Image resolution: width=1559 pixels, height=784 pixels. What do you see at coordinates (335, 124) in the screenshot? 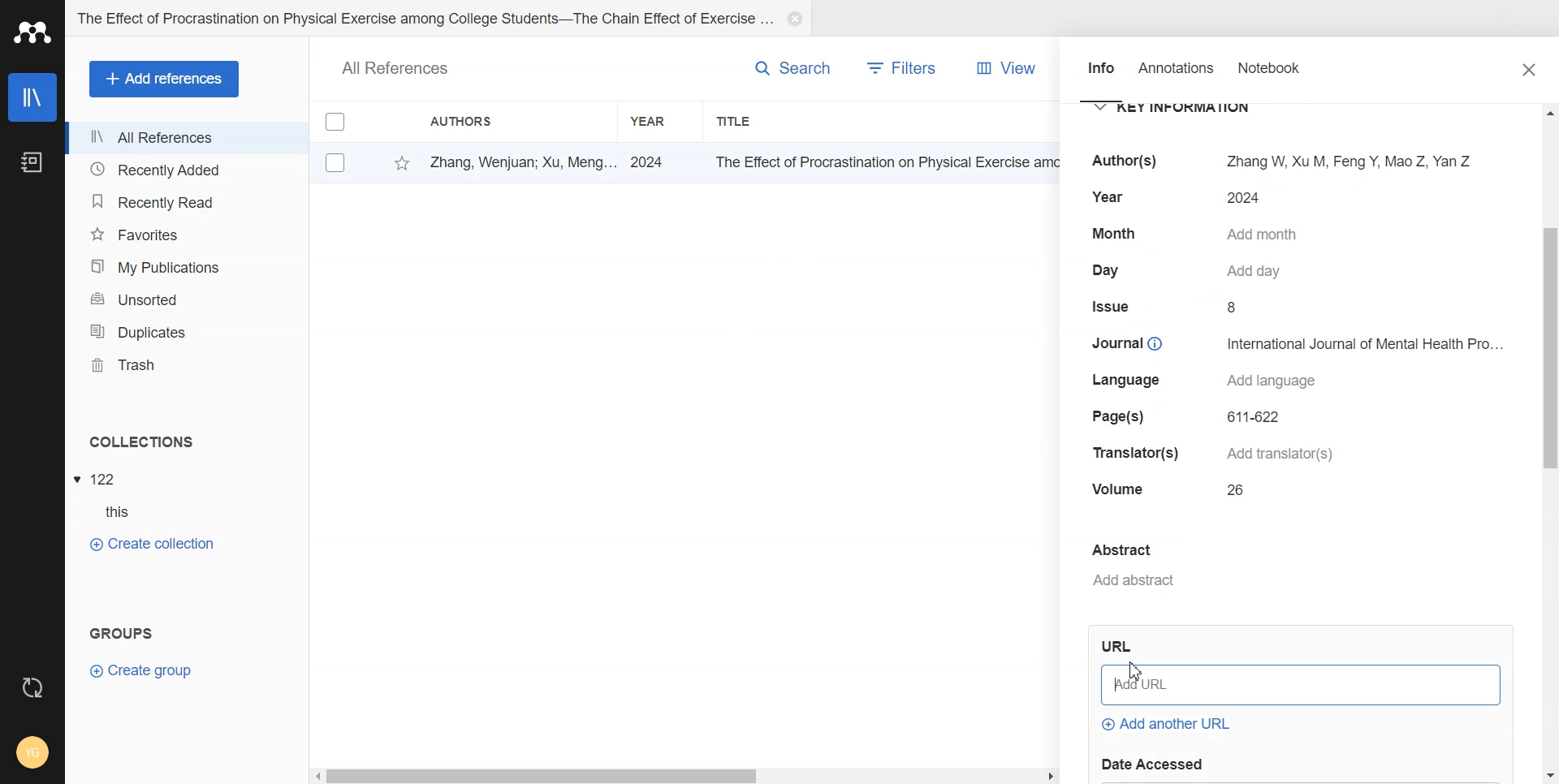
I see `Check box` at bounding box center [335, 124].